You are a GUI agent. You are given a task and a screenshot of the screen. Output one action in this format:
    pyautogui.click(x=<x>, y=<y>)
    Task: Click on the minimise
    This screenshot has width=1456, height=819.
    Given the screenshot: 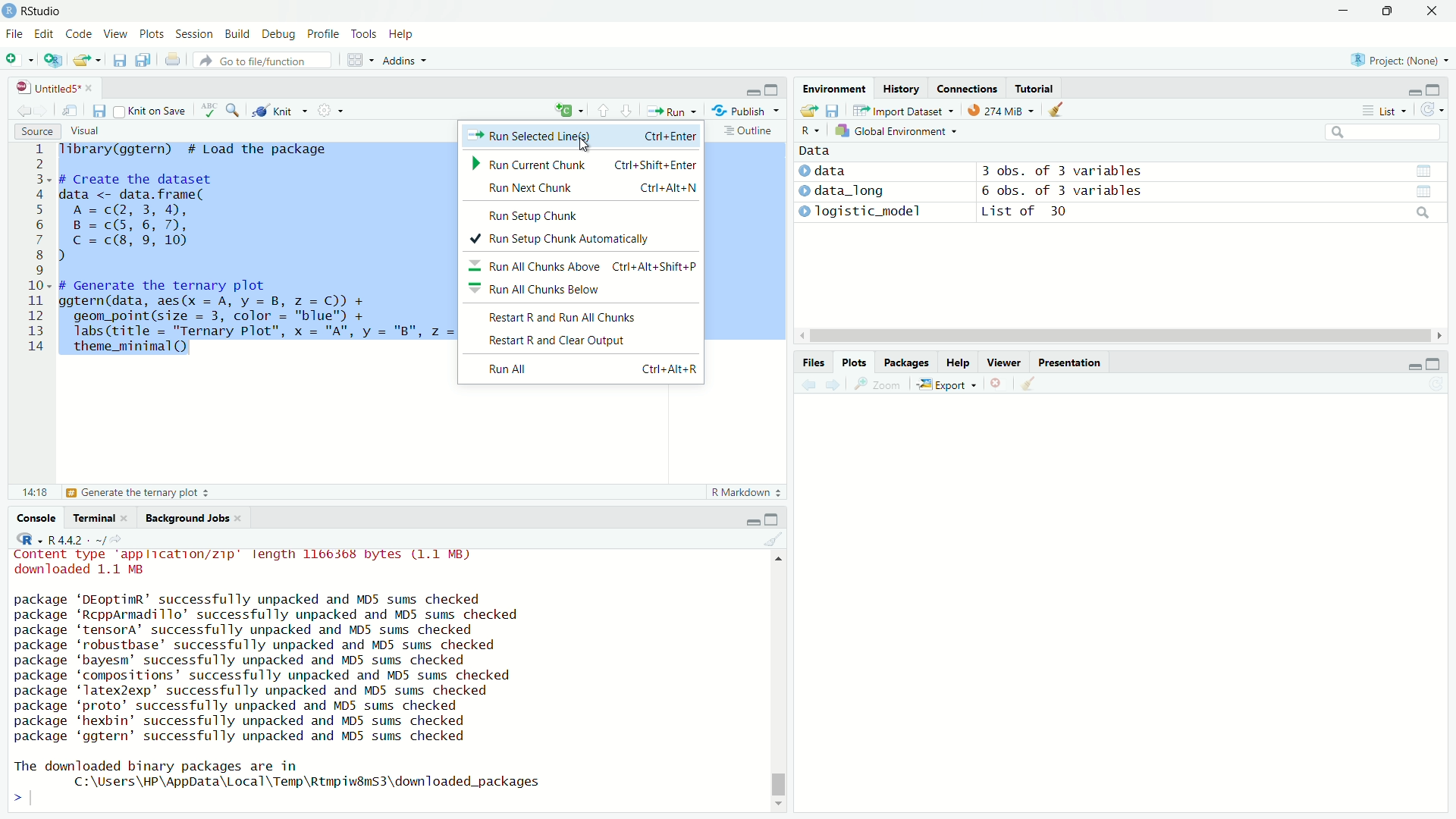 What is the action you would take?
    pyautogui.click(x=1343, y=11)
    